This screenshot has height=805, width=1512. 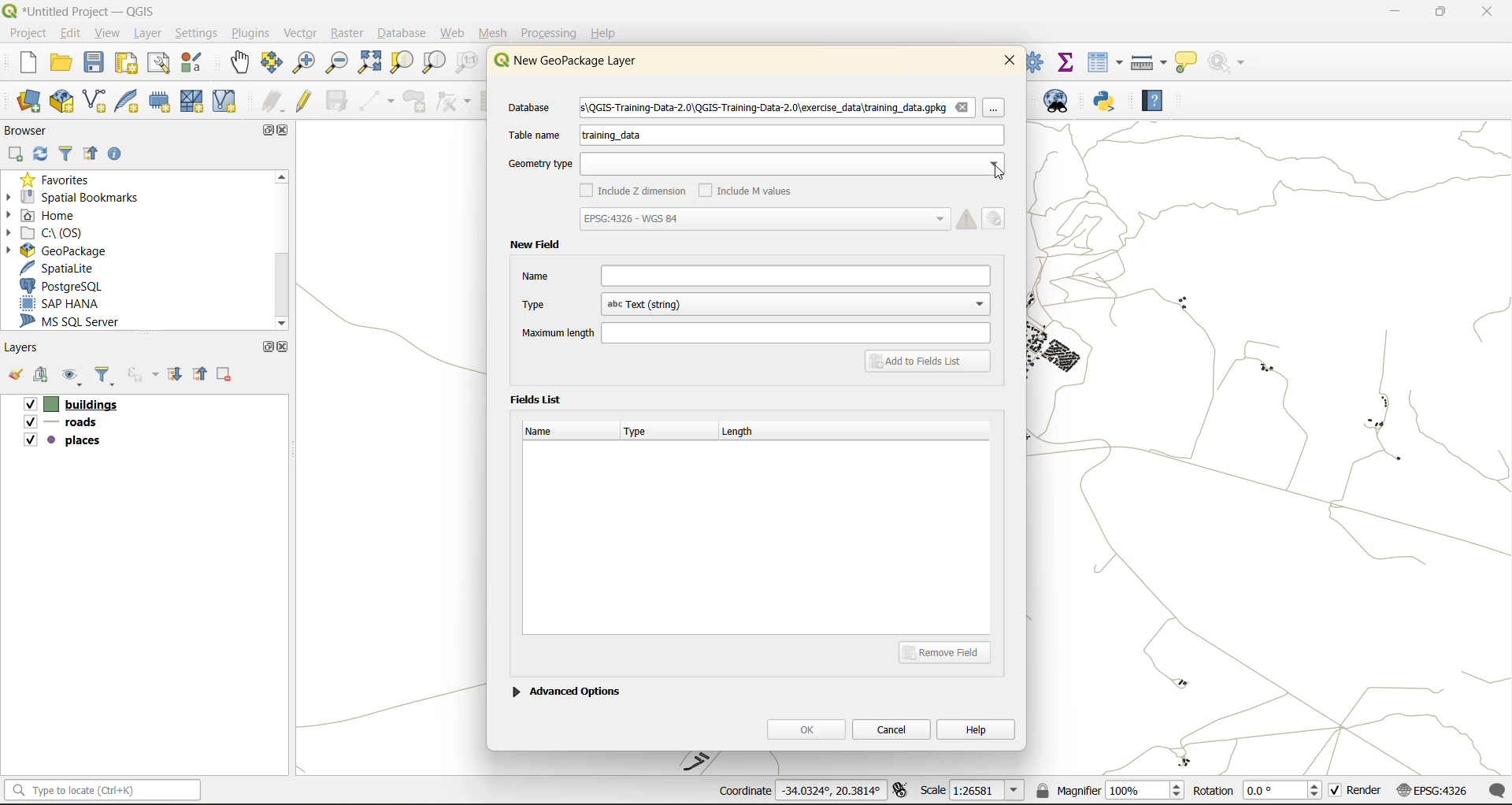 I want to click on New GeoPackage Layer, so click(x=561, y=61).